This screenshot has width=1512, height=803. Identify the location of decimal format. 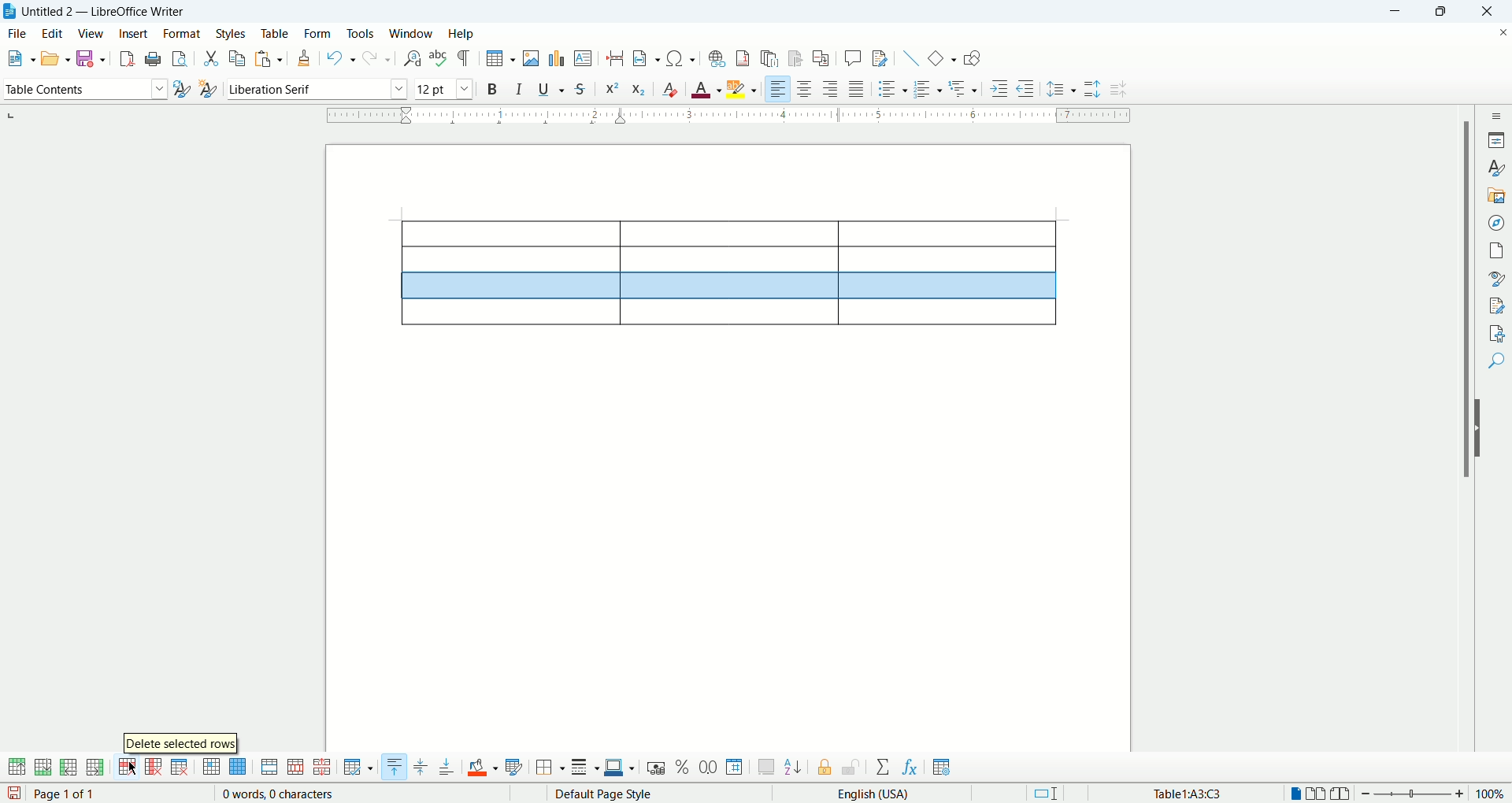
(709, 769).